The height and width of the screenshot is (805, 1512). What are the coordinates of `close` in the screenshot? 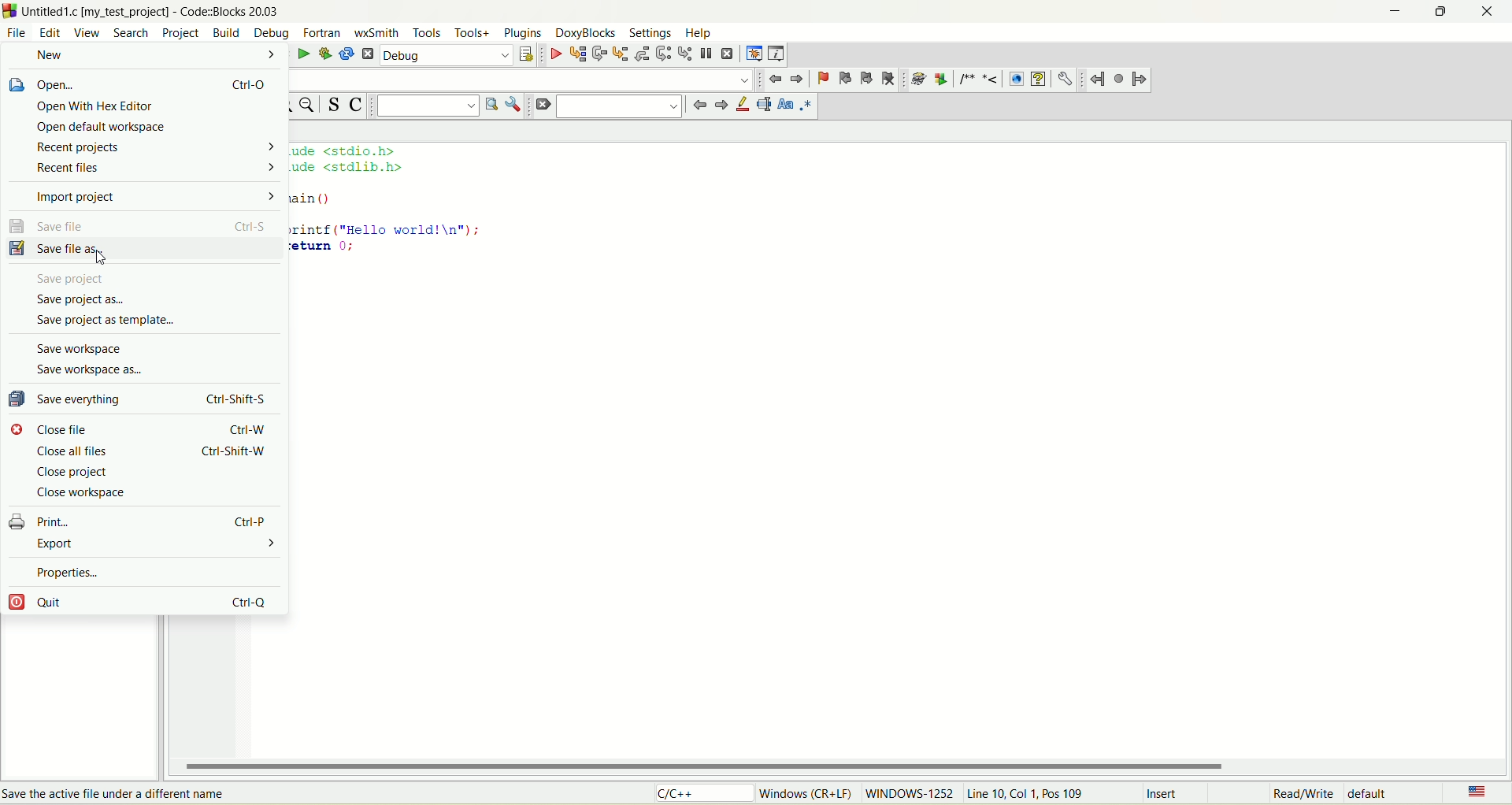 It's located at (1492, 12).